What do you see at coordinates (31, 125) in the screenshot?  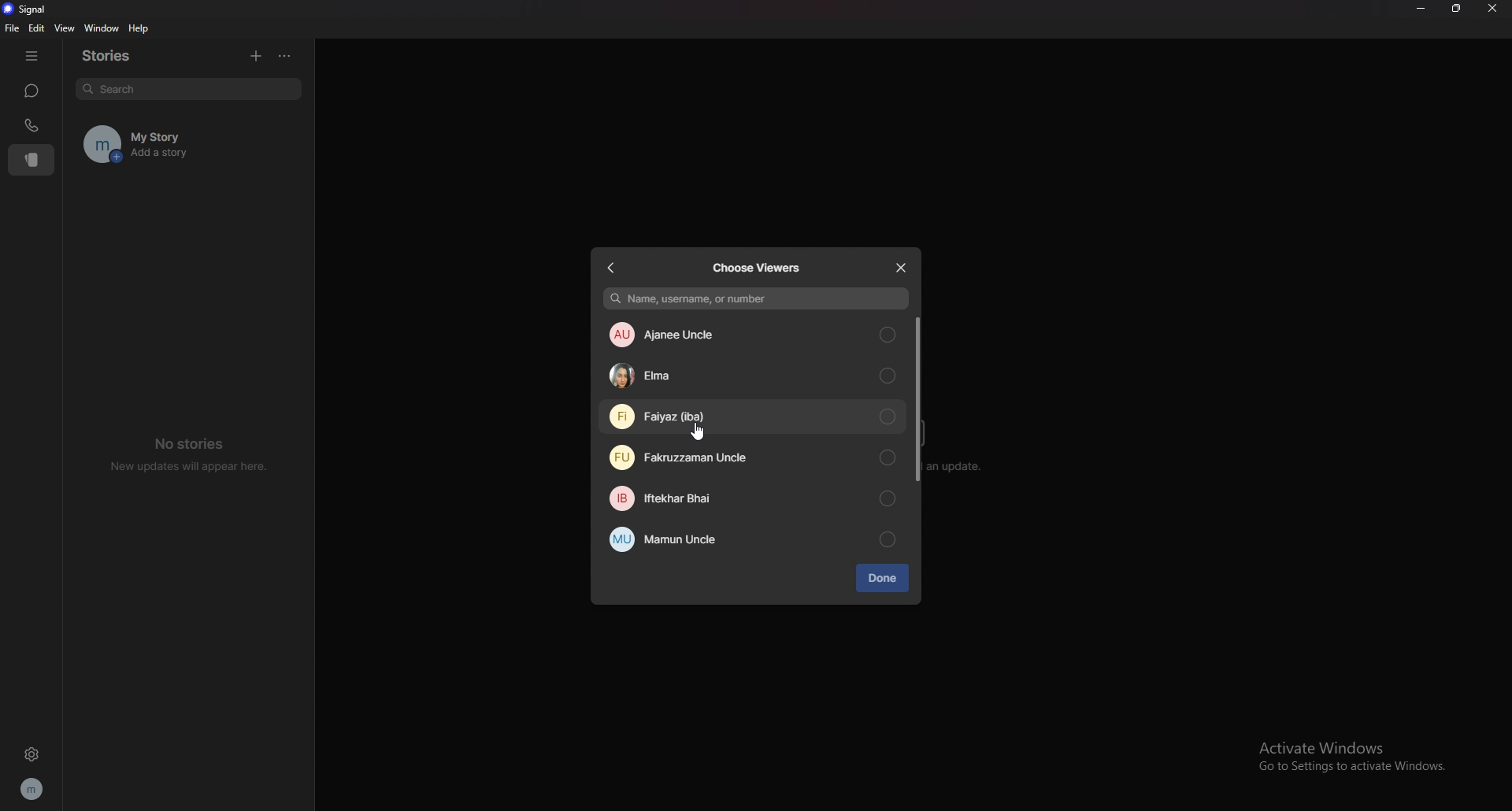 I see `calls` at bounding box center [31, 125].